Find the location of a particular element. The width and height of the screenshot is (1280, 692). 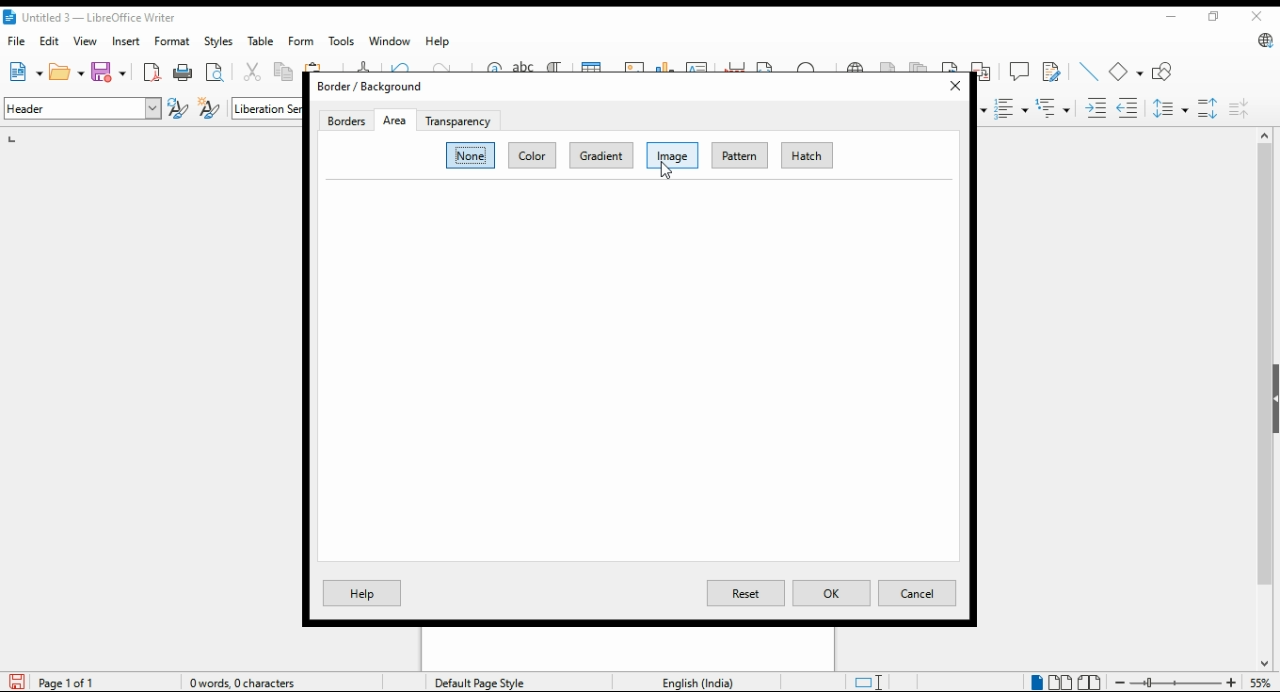

increase paragraph spacing is located at coordinates (1208, 108).